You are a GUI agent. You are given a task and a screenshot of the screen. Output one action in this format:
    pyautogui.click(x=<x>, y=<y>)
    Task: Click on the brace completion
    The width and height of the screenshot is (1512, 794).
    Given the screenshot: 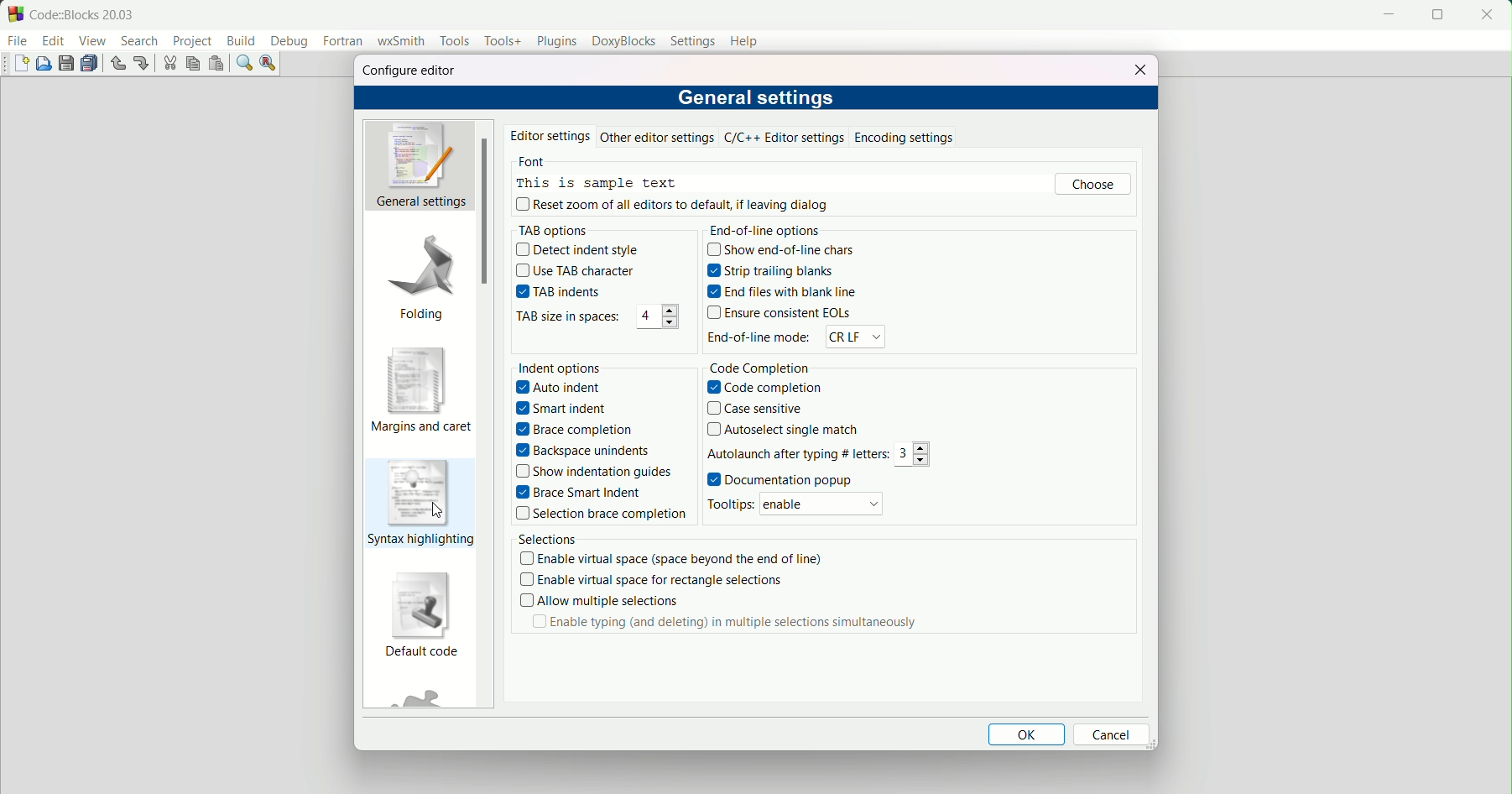 What is the action you would take?
    pyautogui.click(x=574, y=429)
    